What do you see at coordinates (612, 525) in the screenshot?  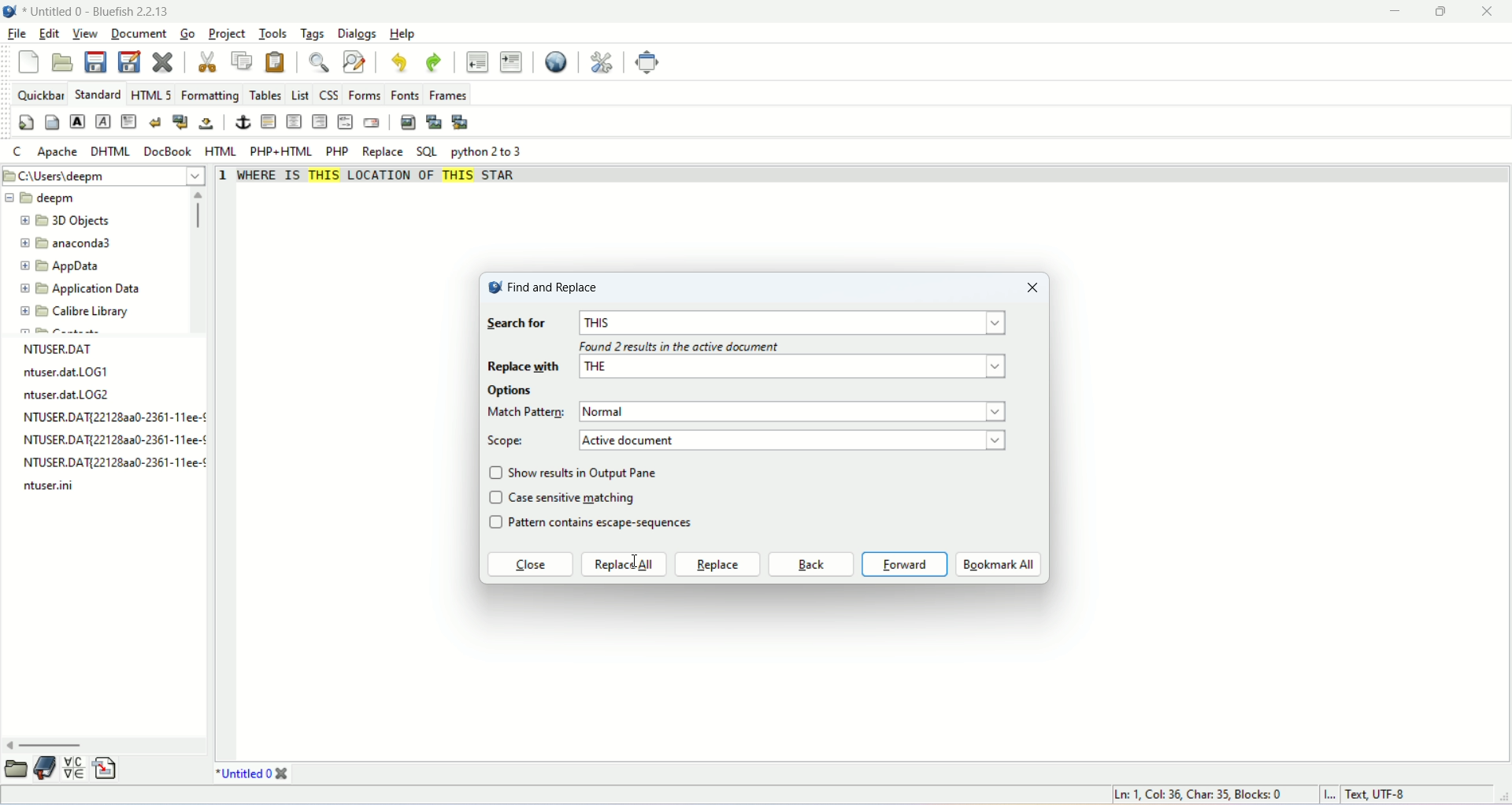 I see `pattern contains escape-sequences` at bounding box center [612, 525].